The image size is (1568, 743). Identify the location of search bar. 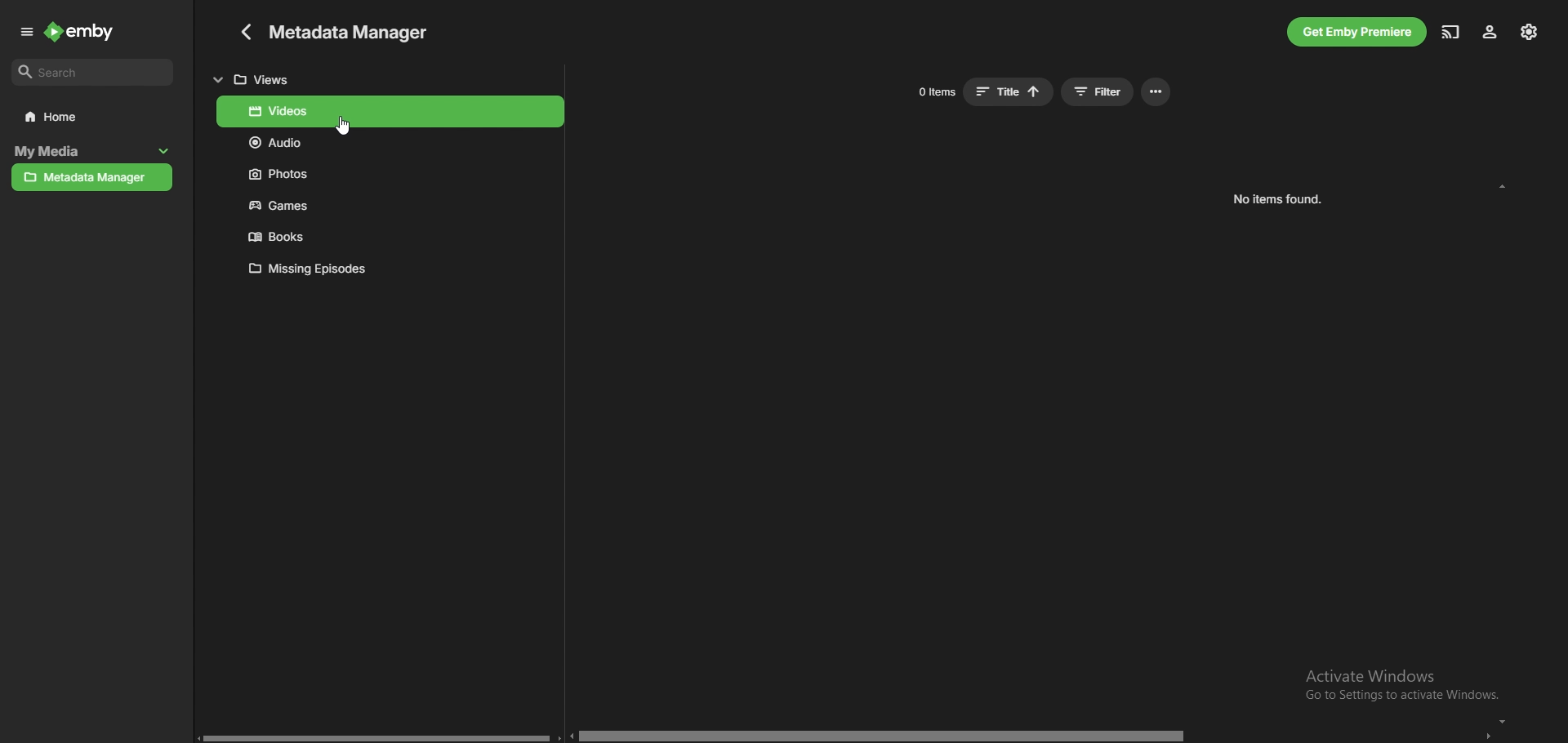
(93, 73).